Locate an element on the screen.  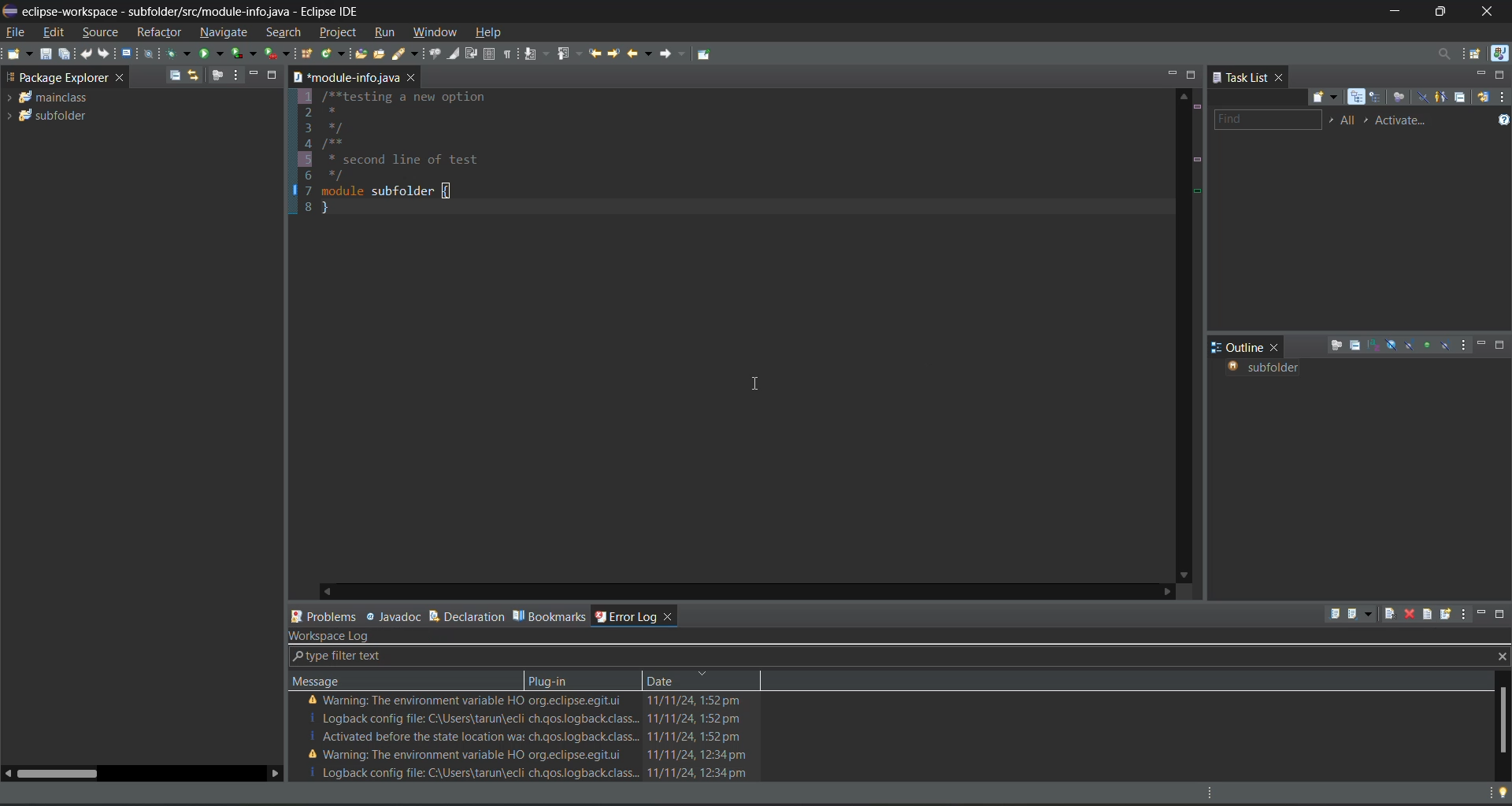
link with editor is located at coordinates (194, 76).